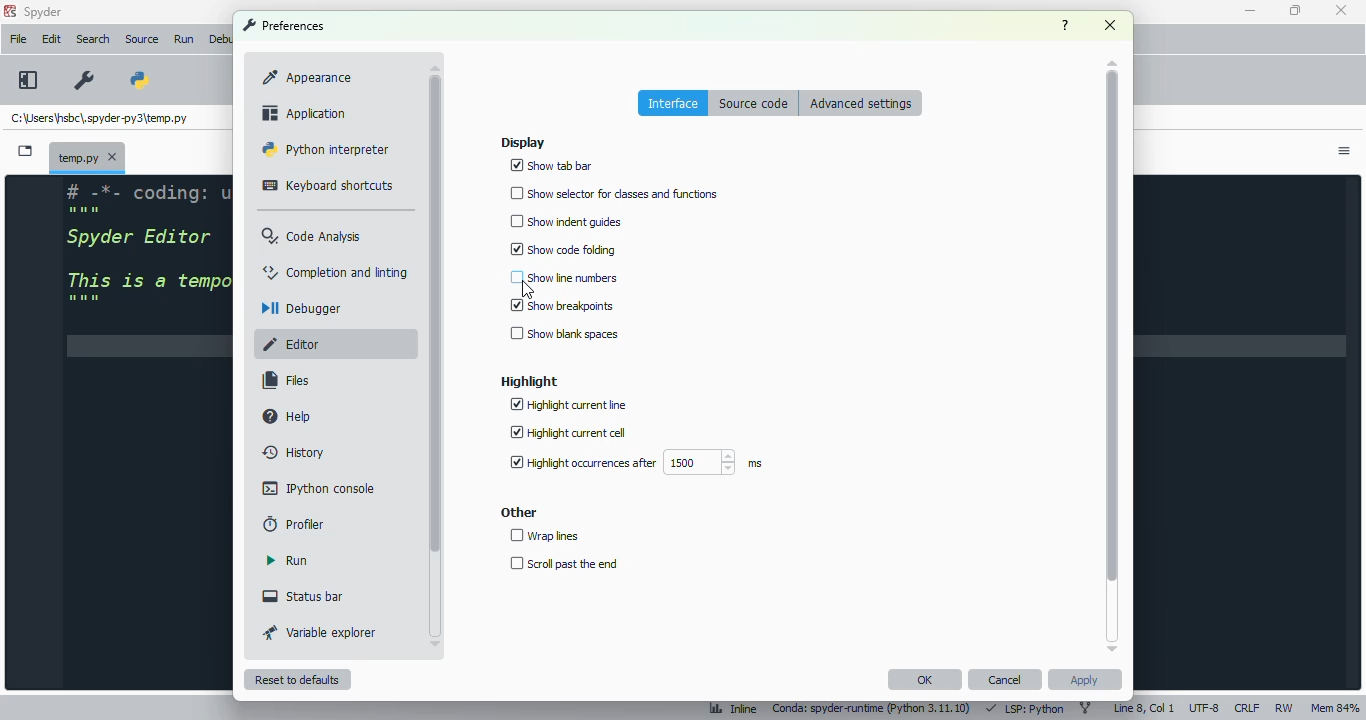  Describe the element at coordinates (1065, 25) in the screenshot. I see `help` at that location.